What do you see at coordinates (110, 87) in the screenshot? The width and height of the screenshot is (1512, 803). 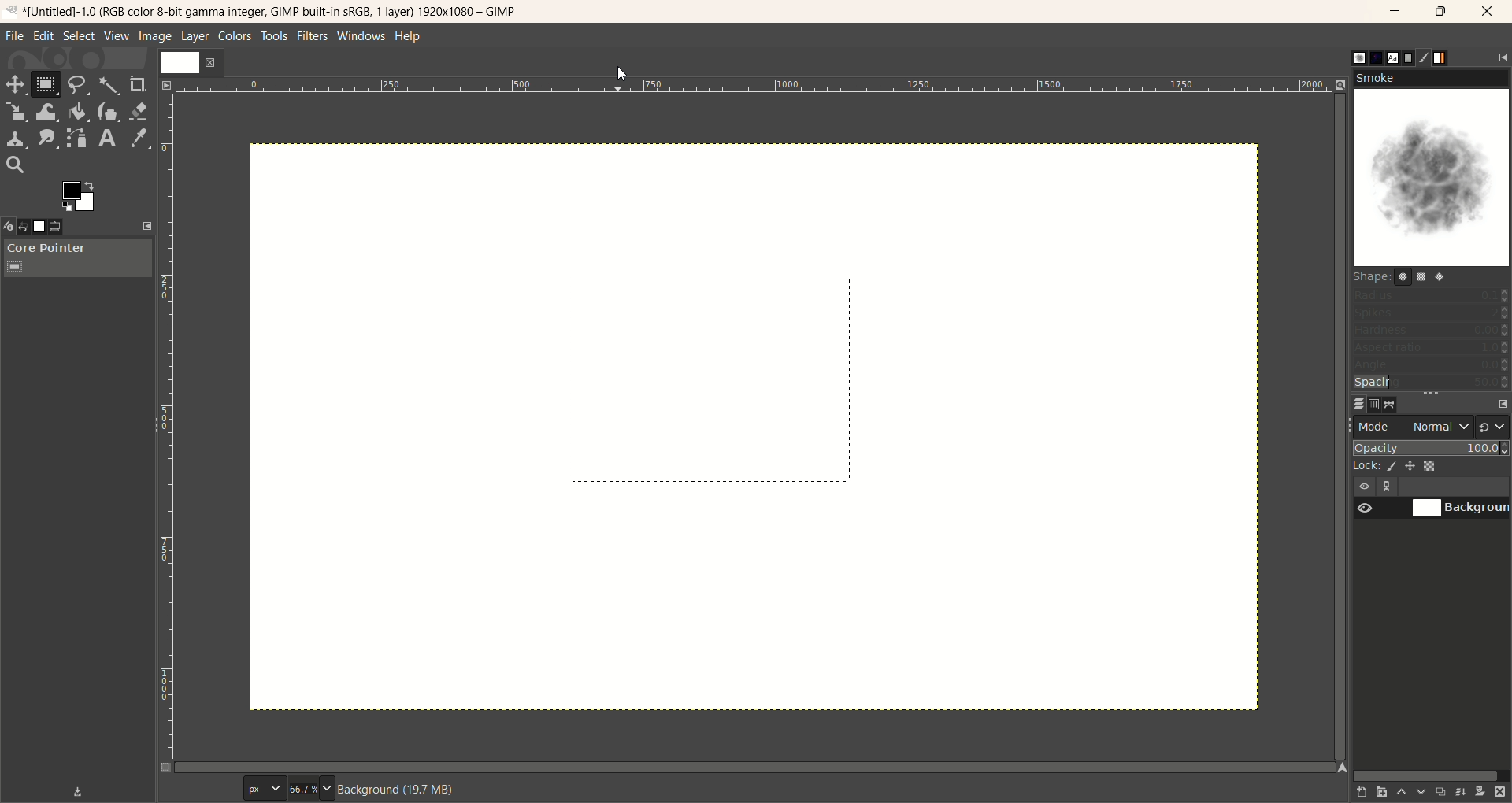 I see `fuzzy select tool` at bounding box center [110, 87].